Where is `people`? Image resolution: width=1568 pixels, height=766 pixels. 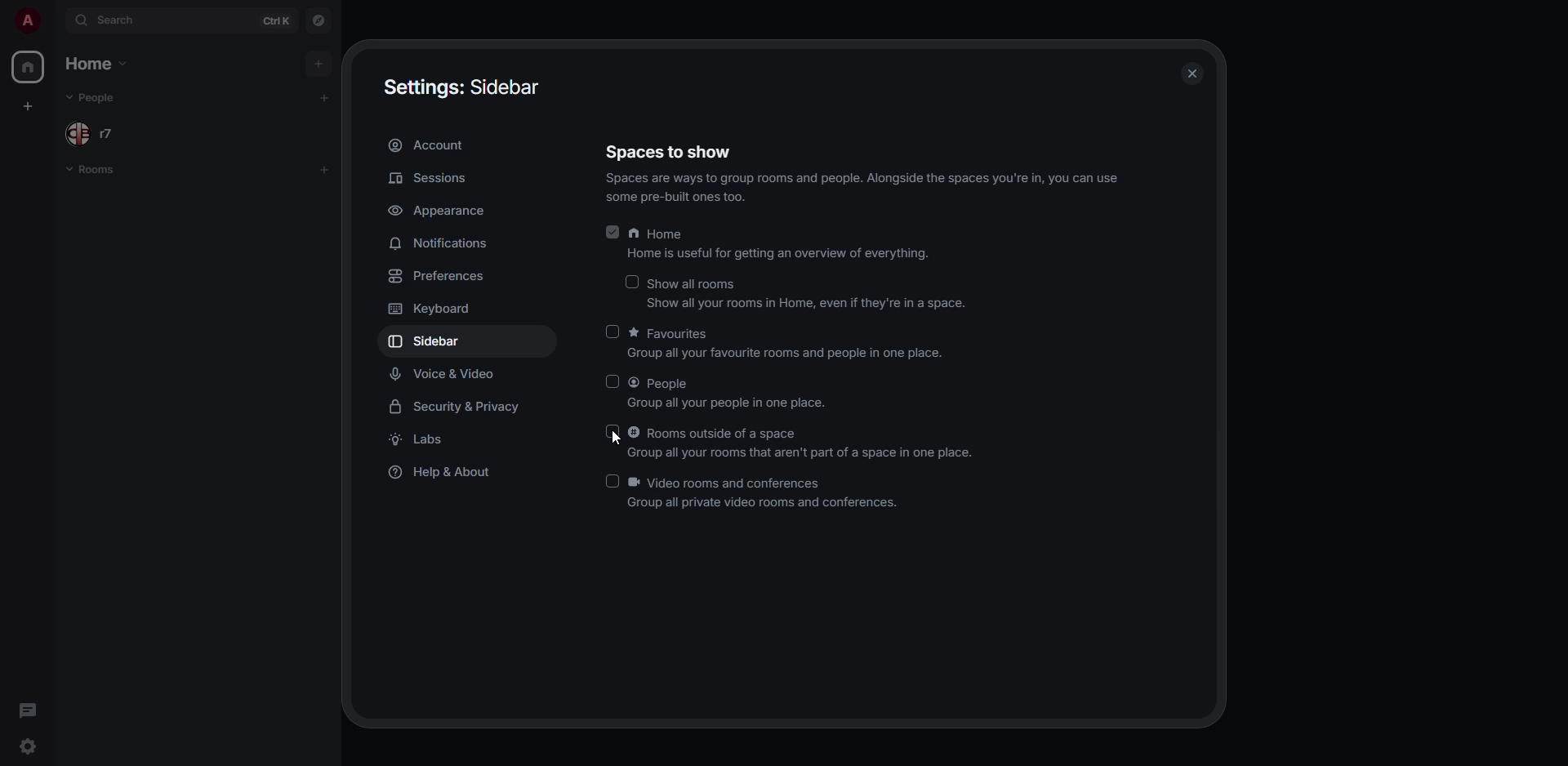 people is located at coordinates (95, 99).